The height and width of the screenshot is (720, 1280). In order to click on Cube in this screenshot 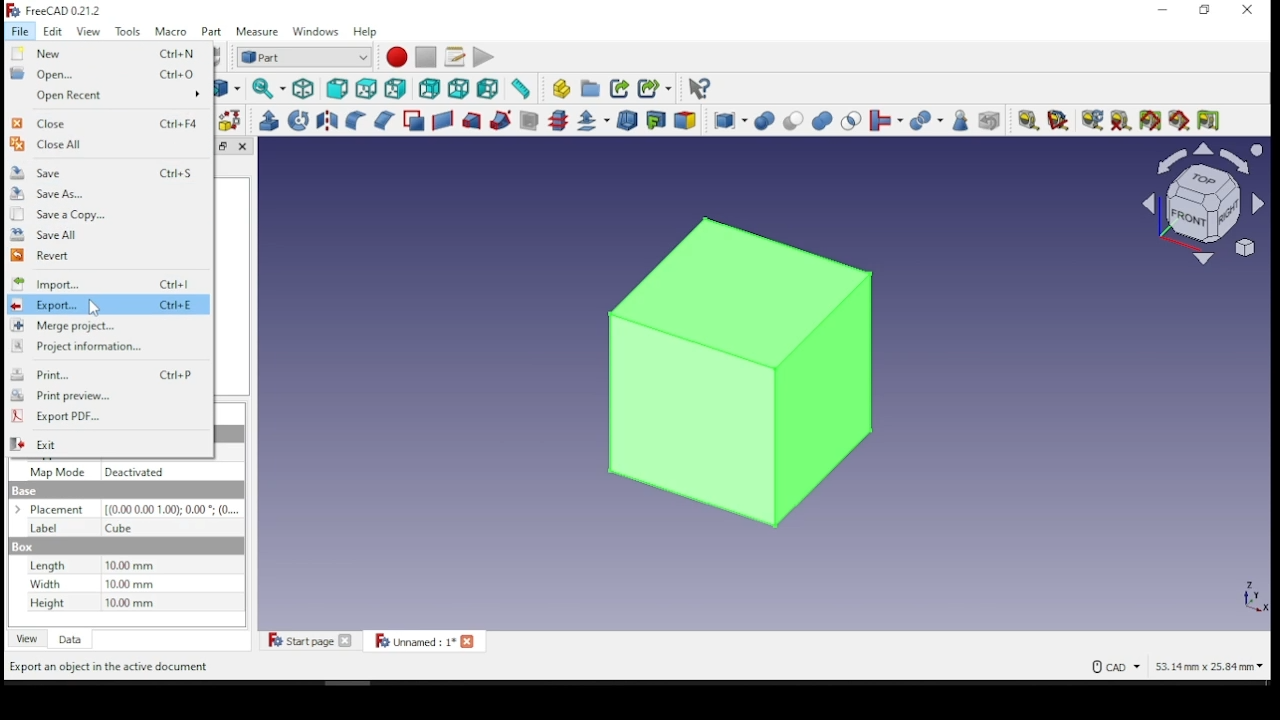, I will do `click(119, 529)`.